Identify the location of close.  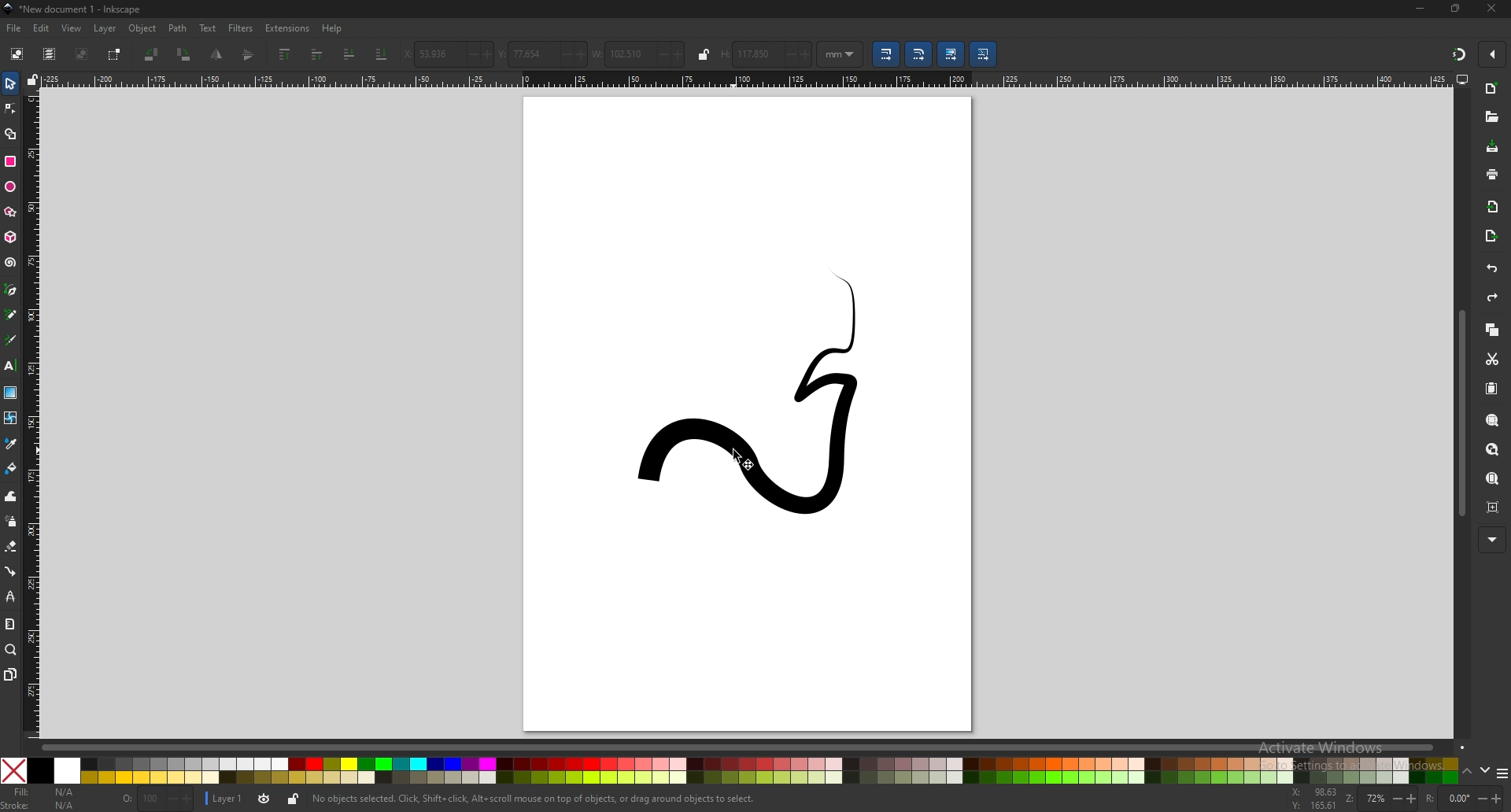
(1494, 9).